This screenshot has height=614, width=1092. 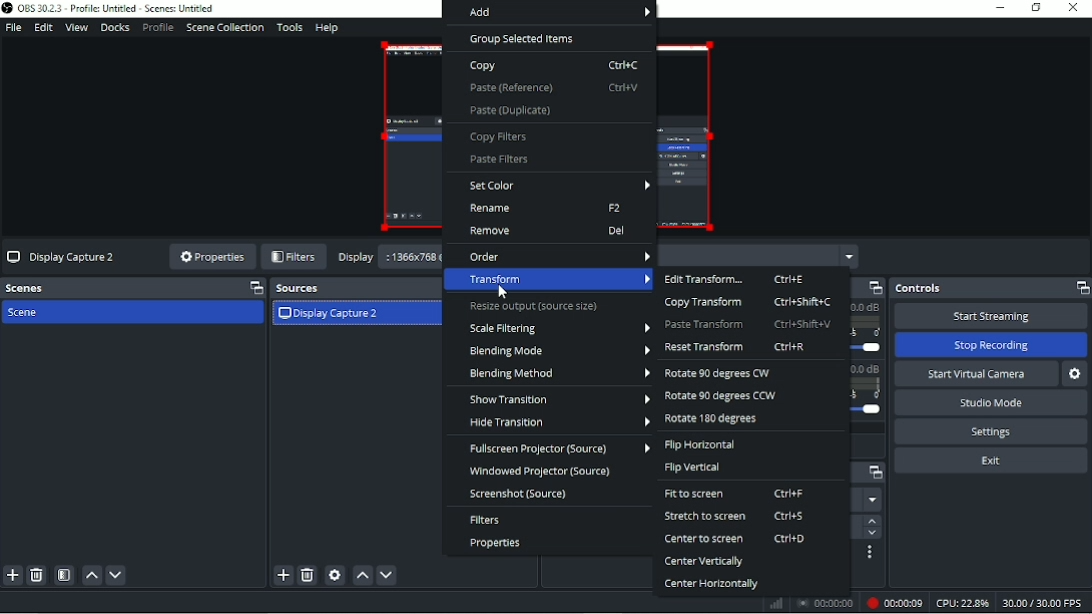 What do you see at coordinates (871, 500) in the screenshot?
I see `Fade` at bounding box center [871, 500].